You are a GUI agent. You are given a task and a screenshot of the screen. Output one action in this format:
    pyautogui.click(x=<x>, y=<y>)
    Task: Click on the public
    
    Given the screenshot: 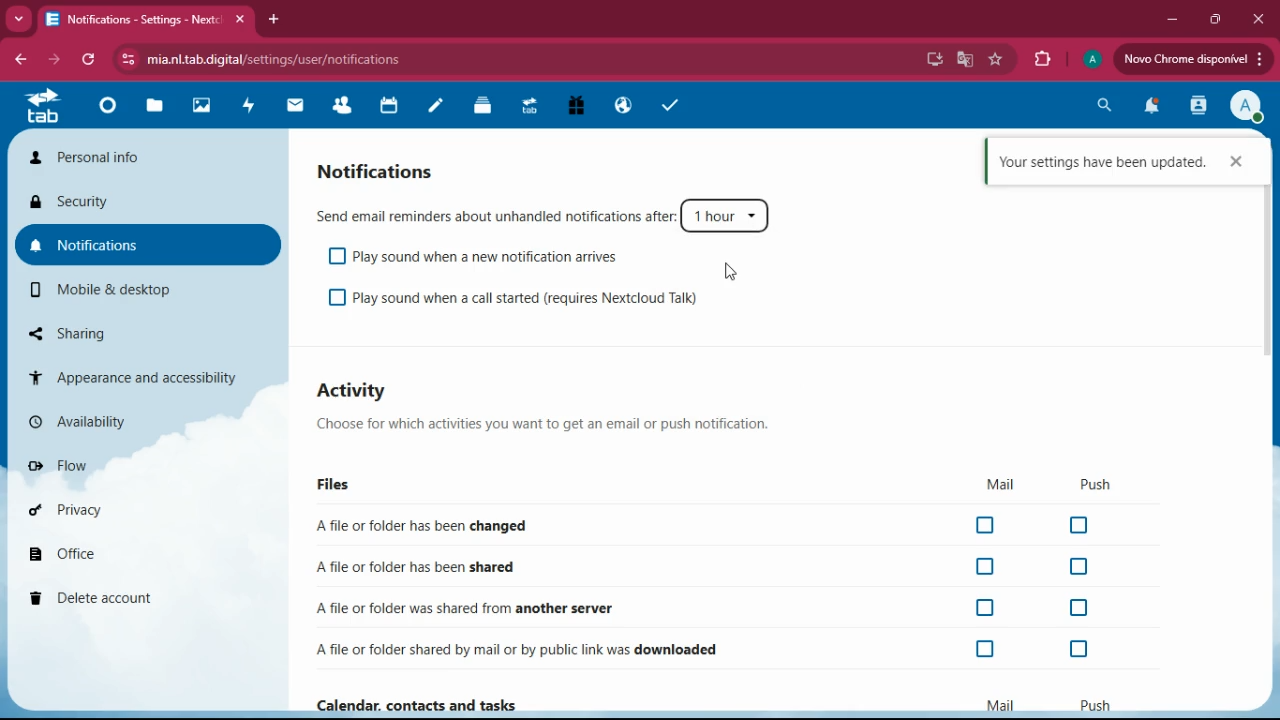 What is the action you would take?
    pyautogui.click(x=624, y=106)
    